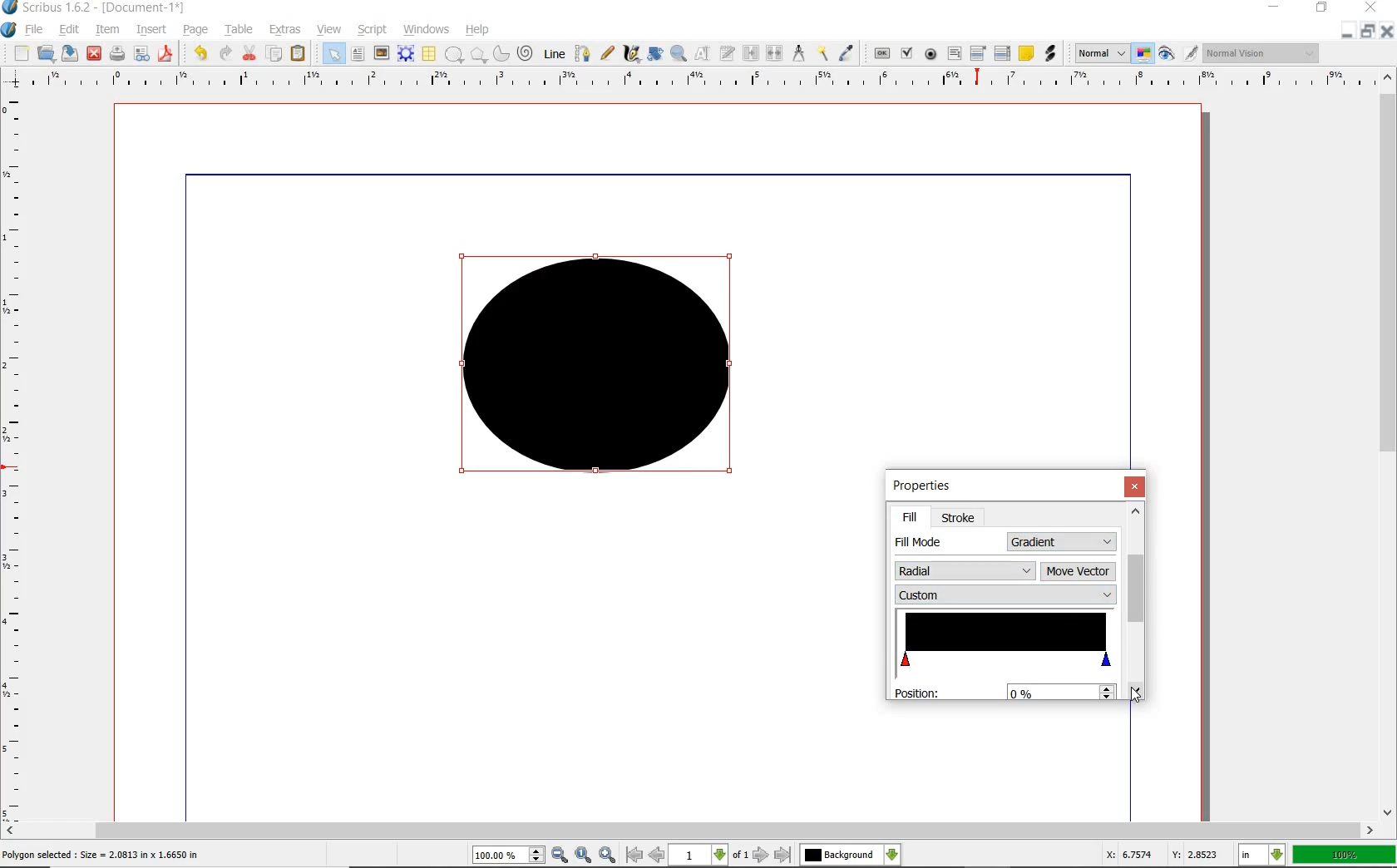 Image resolution: width=1397 pixels, height=868 pixels. What do you see at coordinates (1134, 694) in the screenshot?
I see `cursor` at bounding box center [1134, 694].